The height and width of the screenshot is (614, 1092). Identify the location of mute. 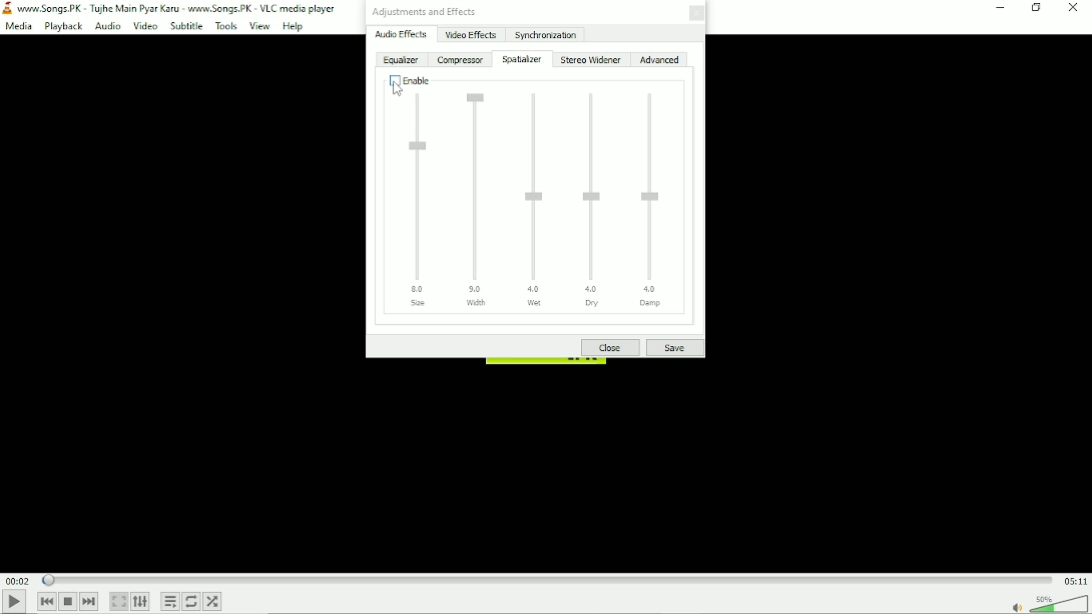
(1017, 607).